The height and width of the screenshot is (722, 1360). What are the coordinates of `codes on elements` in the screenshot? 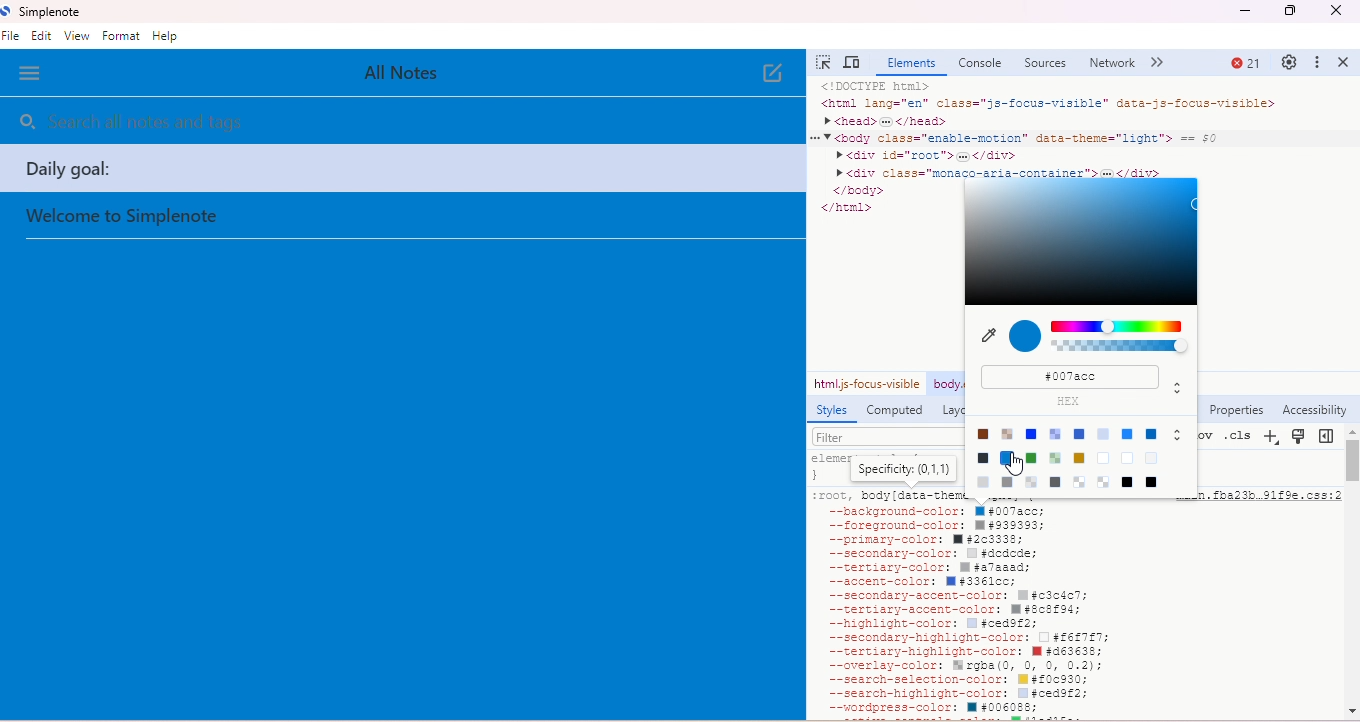 It's located at (1068, 127).